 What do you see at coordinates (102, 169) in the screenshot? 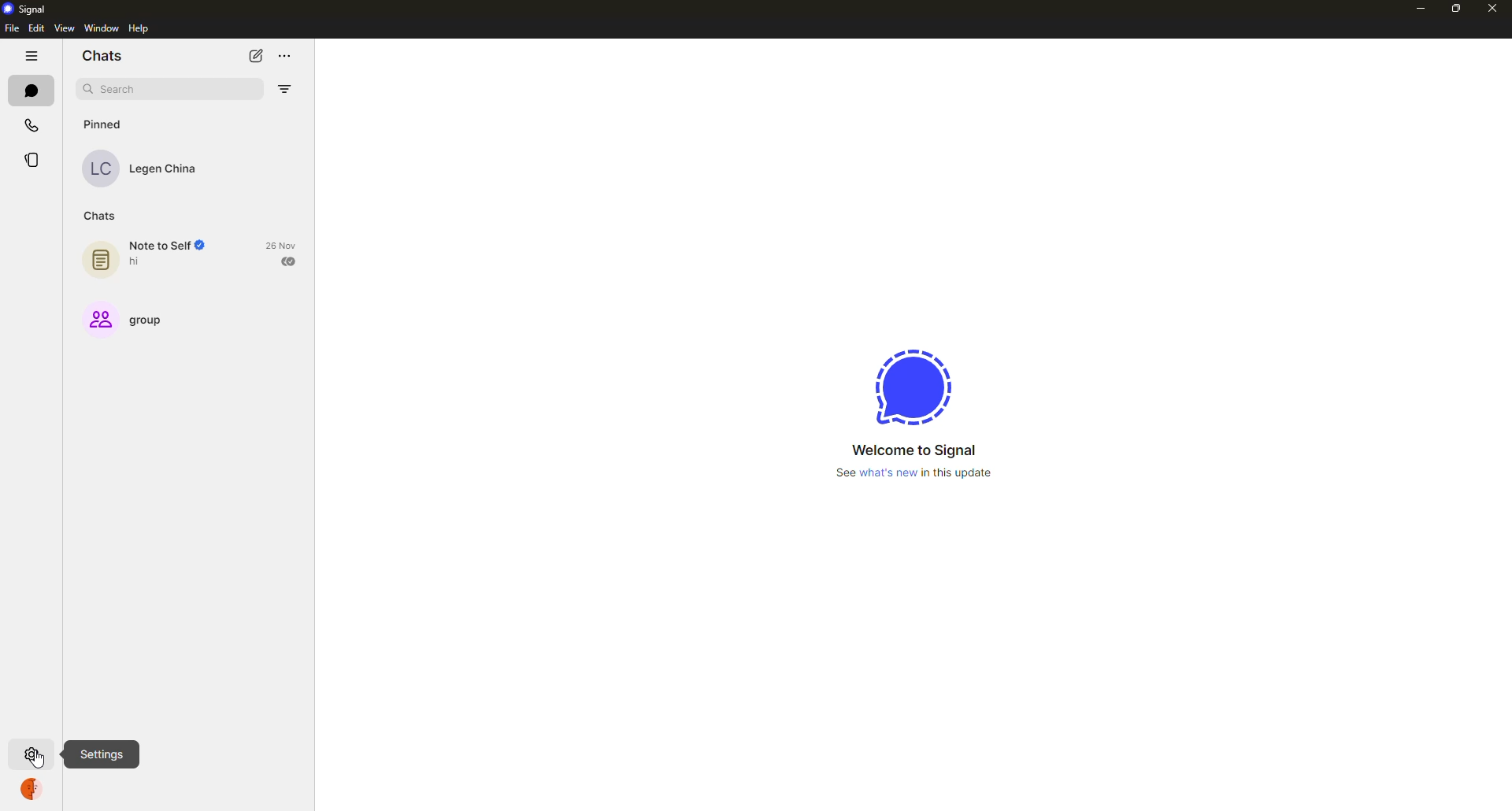
I see `LC` at bounding box center [102, 169].